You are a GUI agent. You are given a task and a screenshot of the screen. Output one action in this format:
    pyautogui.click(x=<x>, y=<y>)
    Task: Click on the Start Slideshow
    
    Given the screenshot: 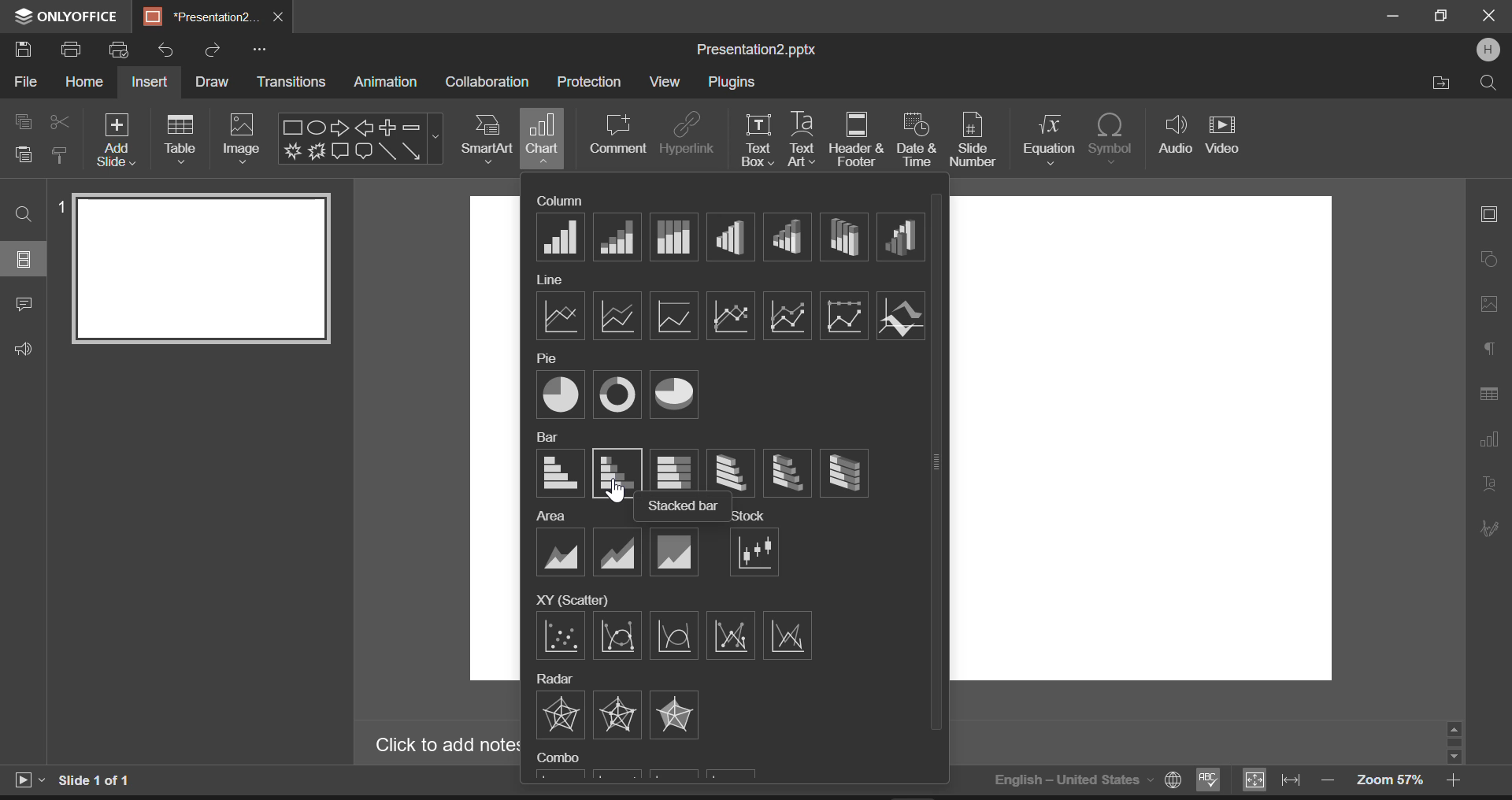 What is the action you would take?
    pyautogui.click(x=28, y=778)
    